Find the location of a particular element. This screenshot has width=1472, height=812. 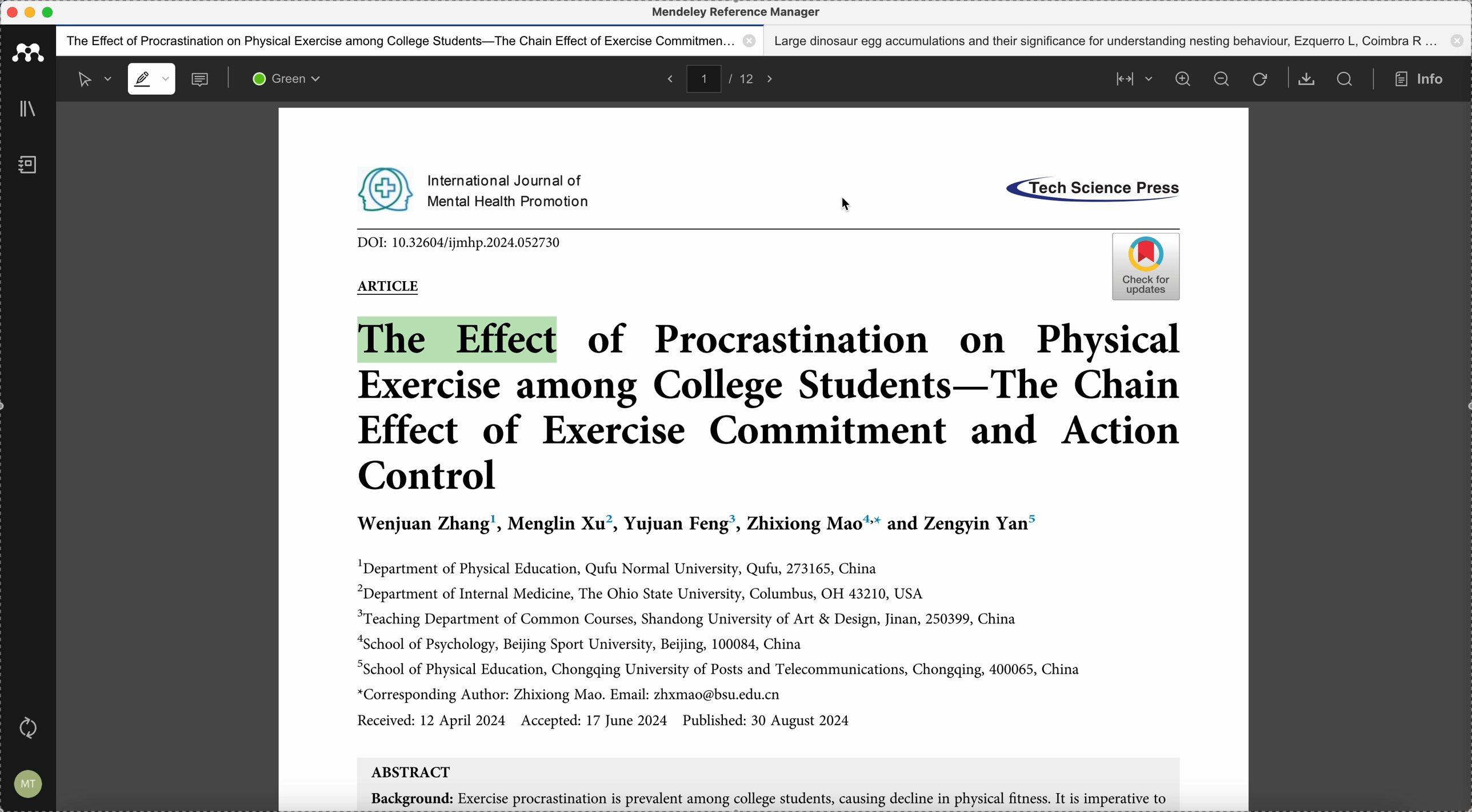

zoom in is located at coordinates (1182, 79).